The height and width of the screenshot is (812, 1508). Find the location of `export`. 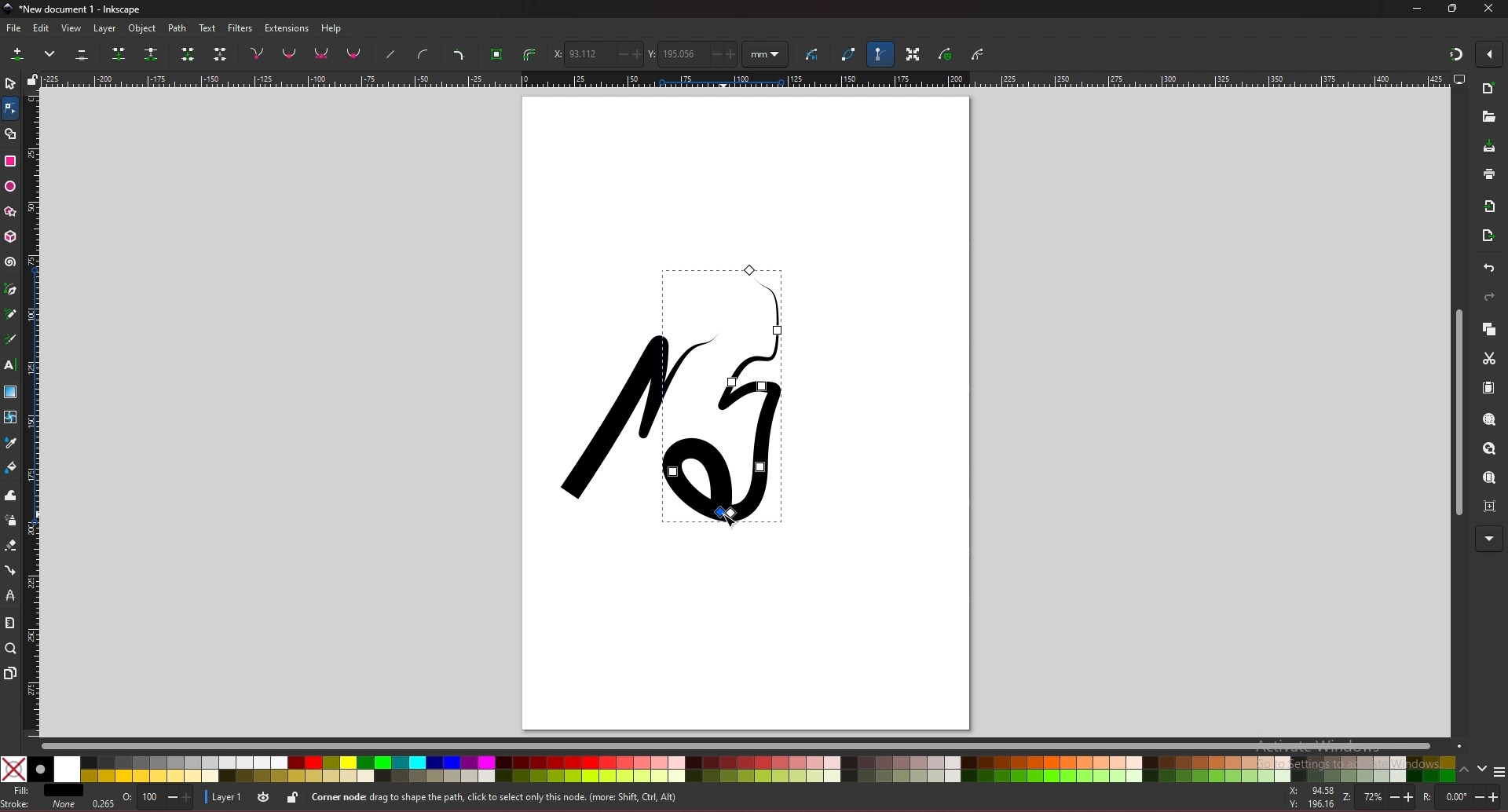

export is located at coordinates (1489, 235).